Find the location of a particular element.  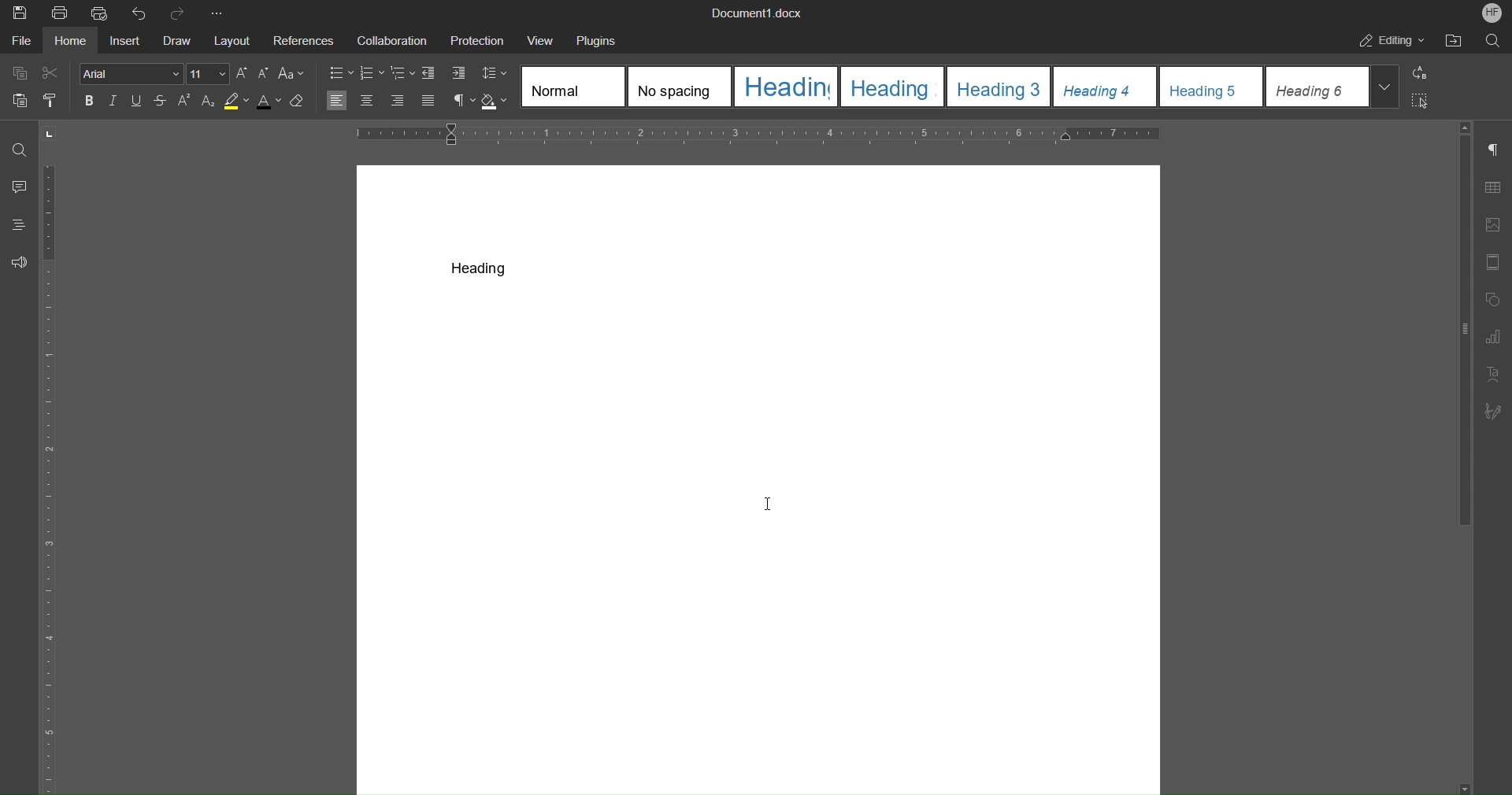

Header/Footer is located at coordinates (1493, 262).